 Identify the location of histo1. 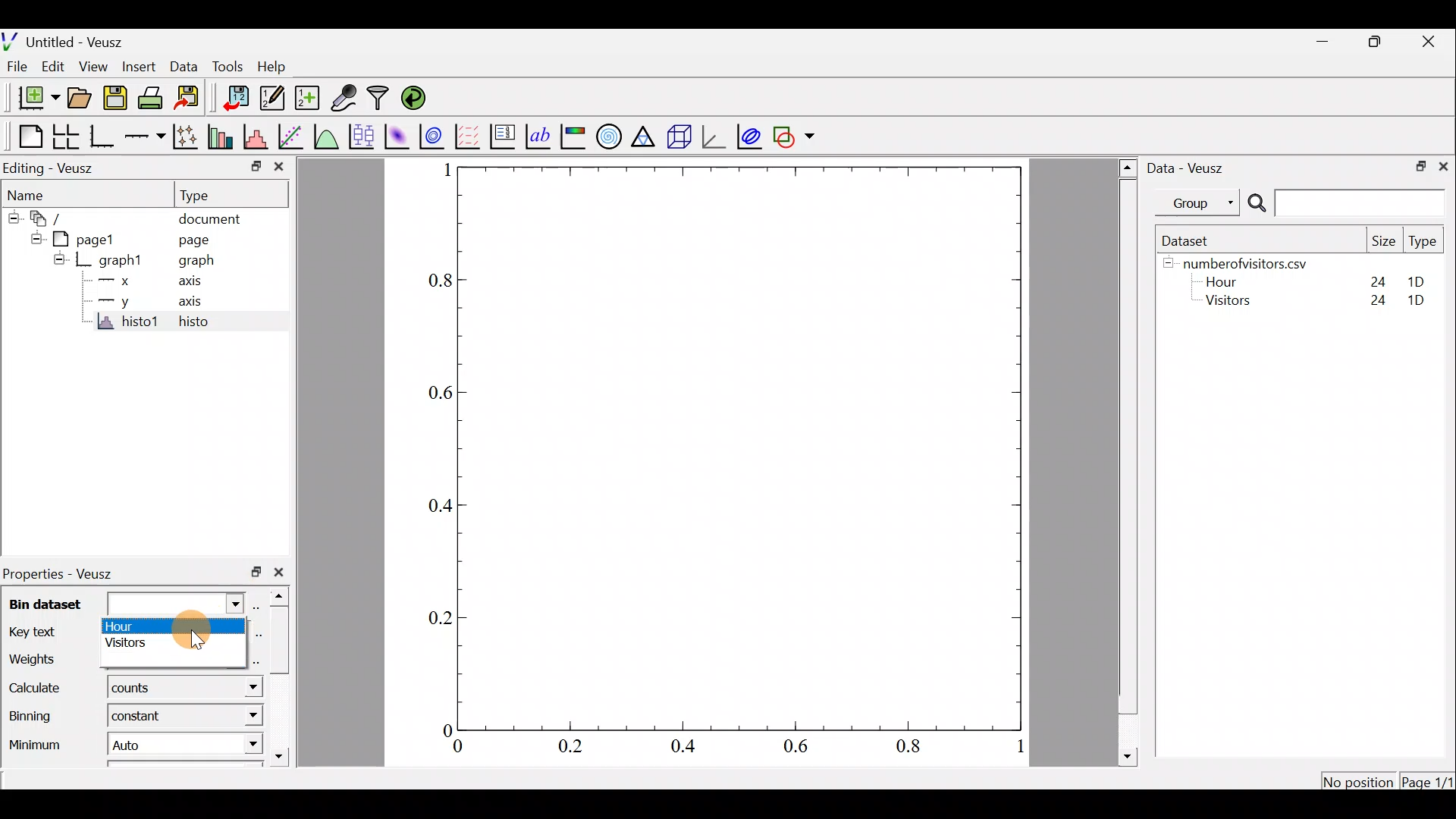
(123, 324).